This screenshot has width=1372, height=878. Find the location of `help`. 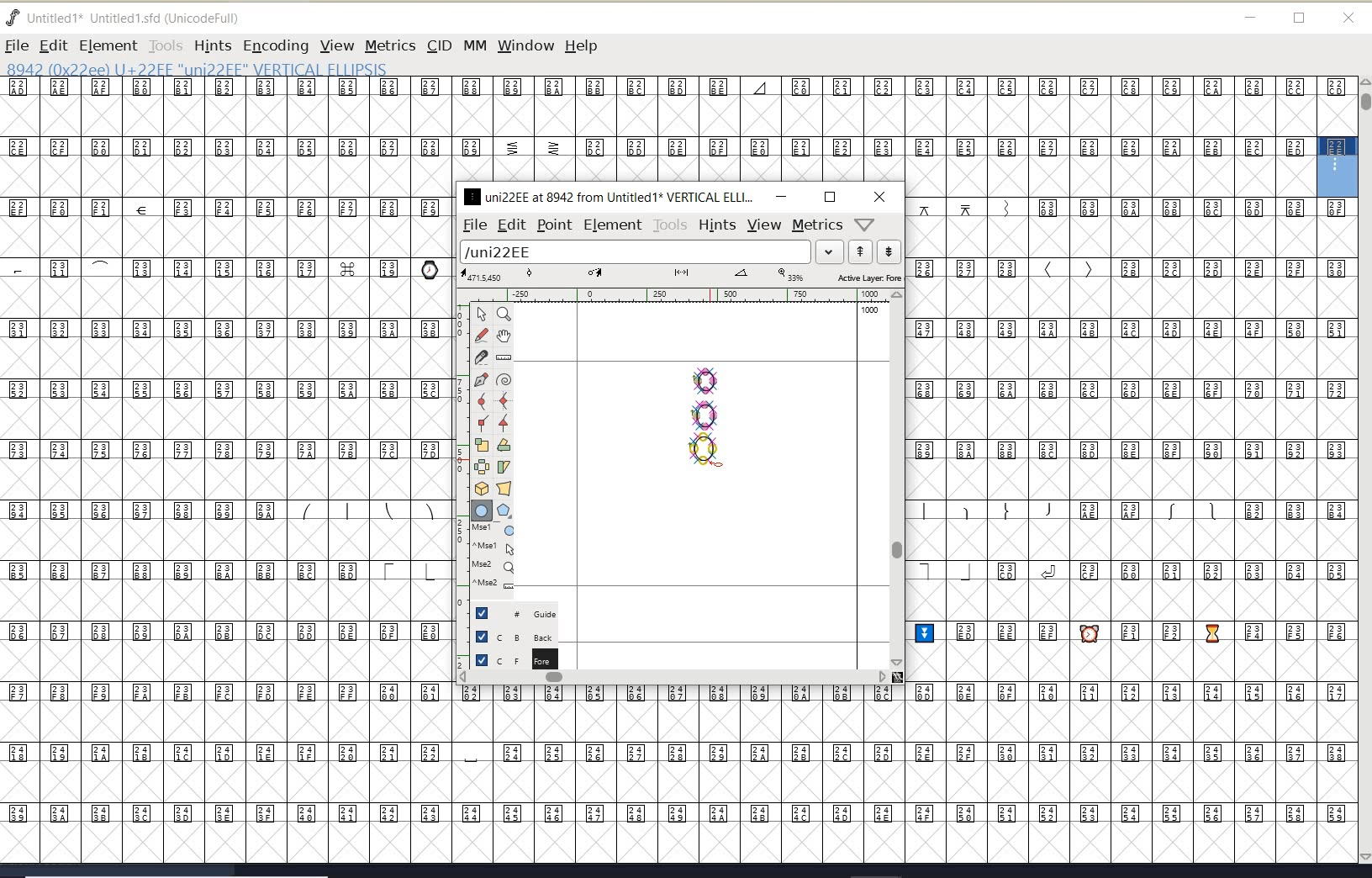

help is located at coordinates (584, 47).